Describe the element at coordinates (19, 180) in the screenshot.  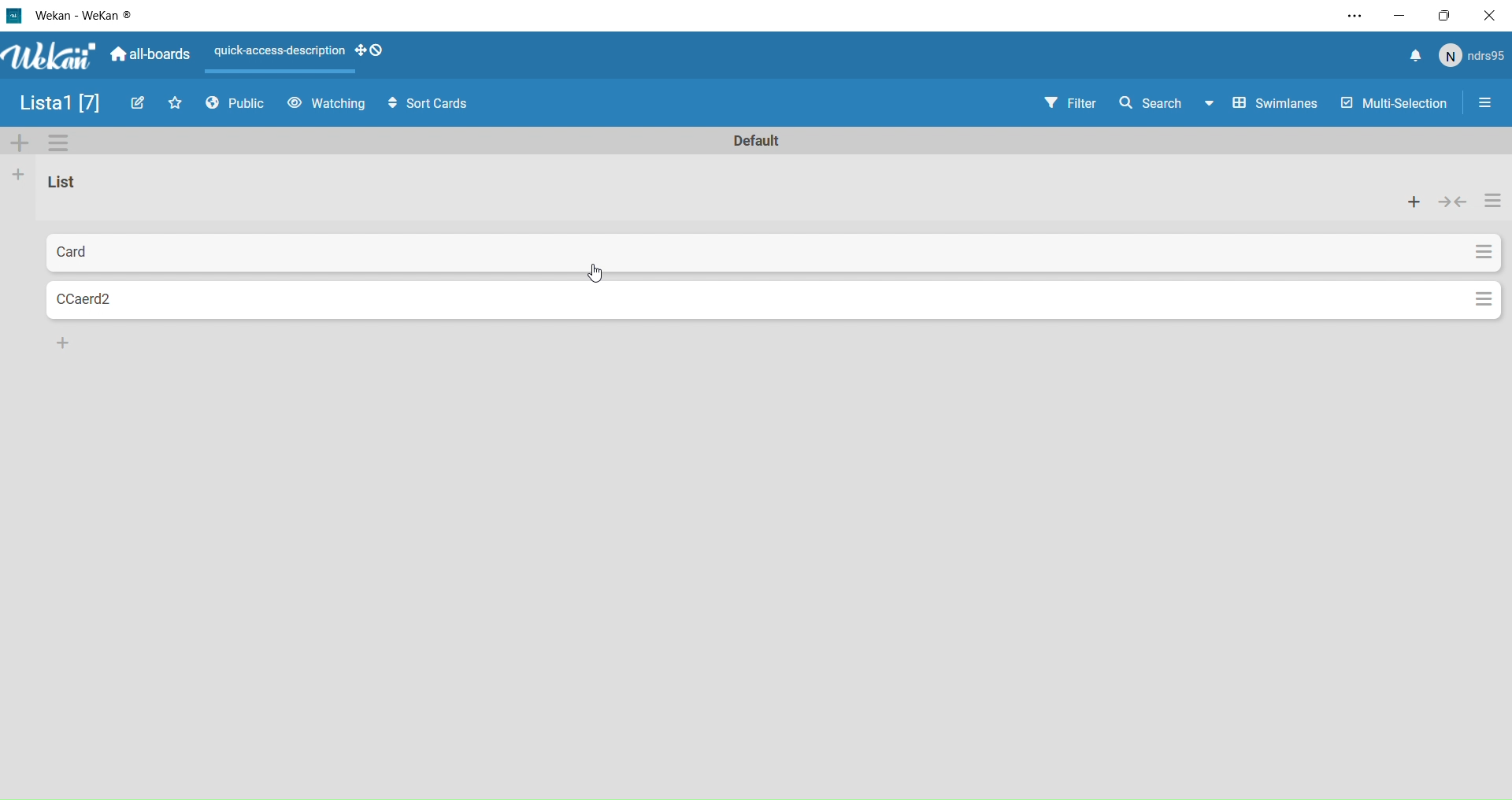
I see `Add` at that location.